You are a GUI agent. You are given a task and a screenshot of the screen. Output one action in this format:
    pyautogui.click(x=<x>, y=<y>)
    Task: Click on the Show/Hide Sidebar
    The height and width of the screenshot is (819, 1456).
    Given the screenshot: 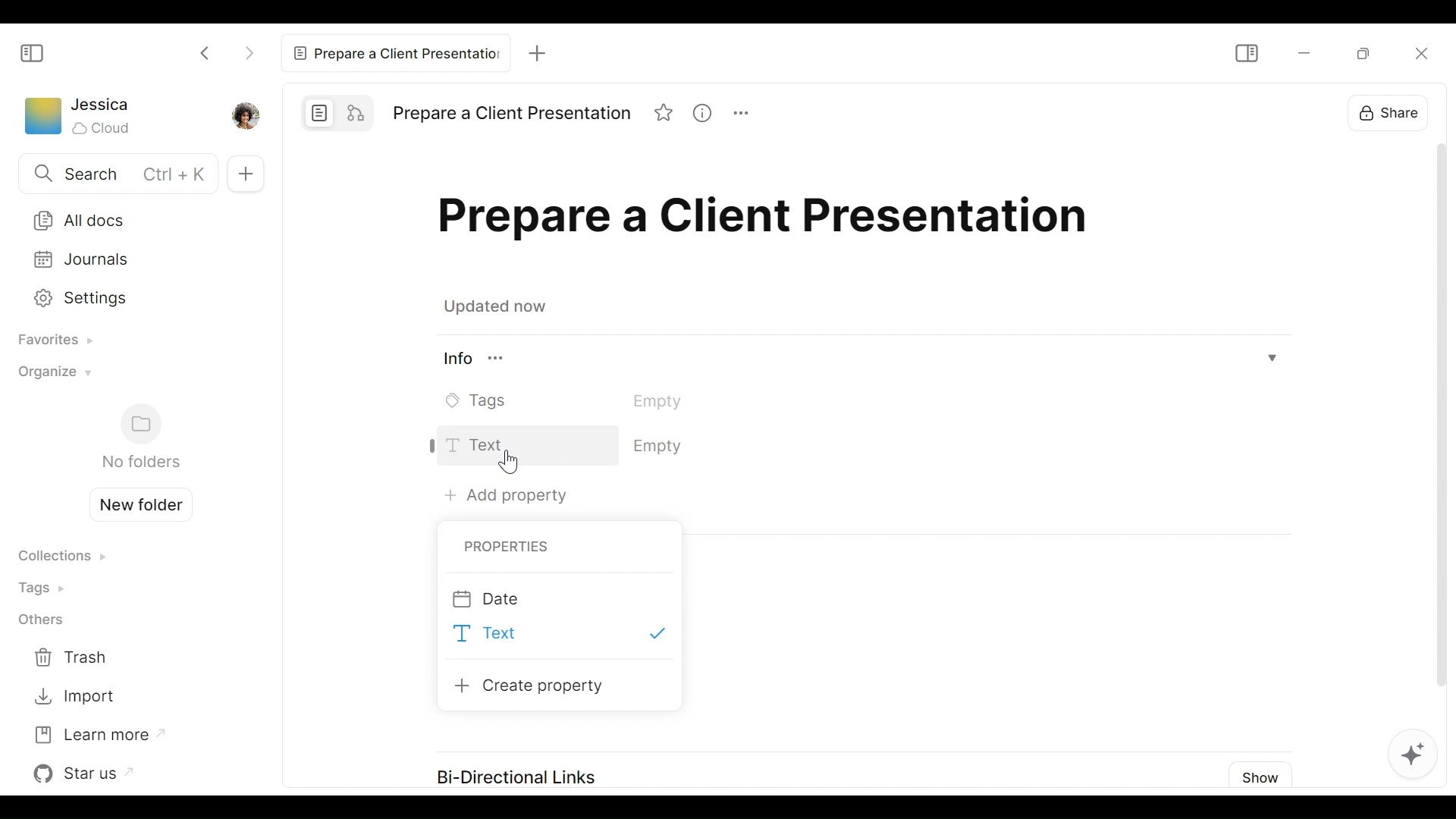 What is the action you would take?
    pyautogui.click(x=1245, y=53)
    